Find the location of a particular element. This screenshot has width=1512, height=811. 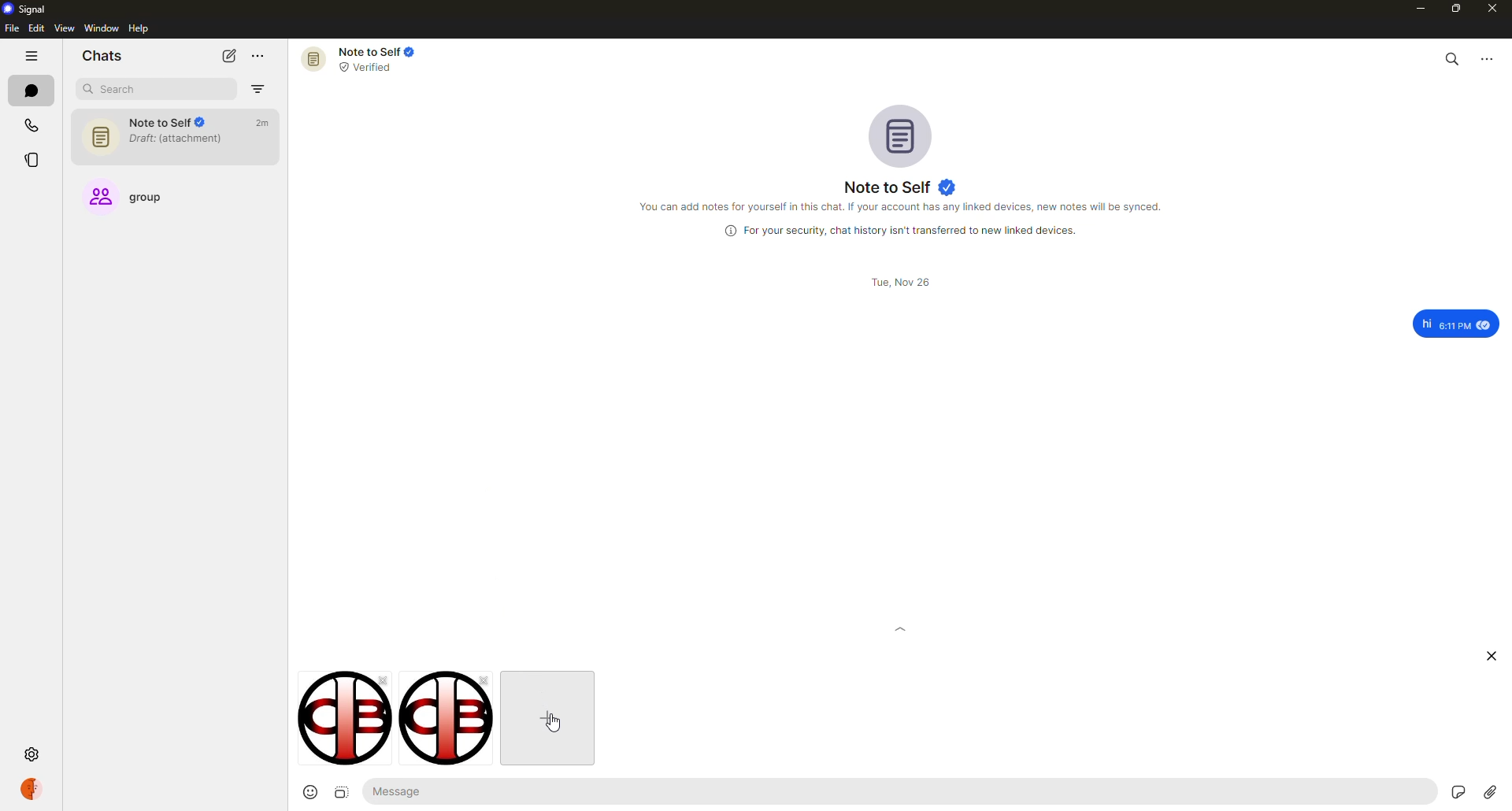

profile pic is located at coordinates (899, 135).